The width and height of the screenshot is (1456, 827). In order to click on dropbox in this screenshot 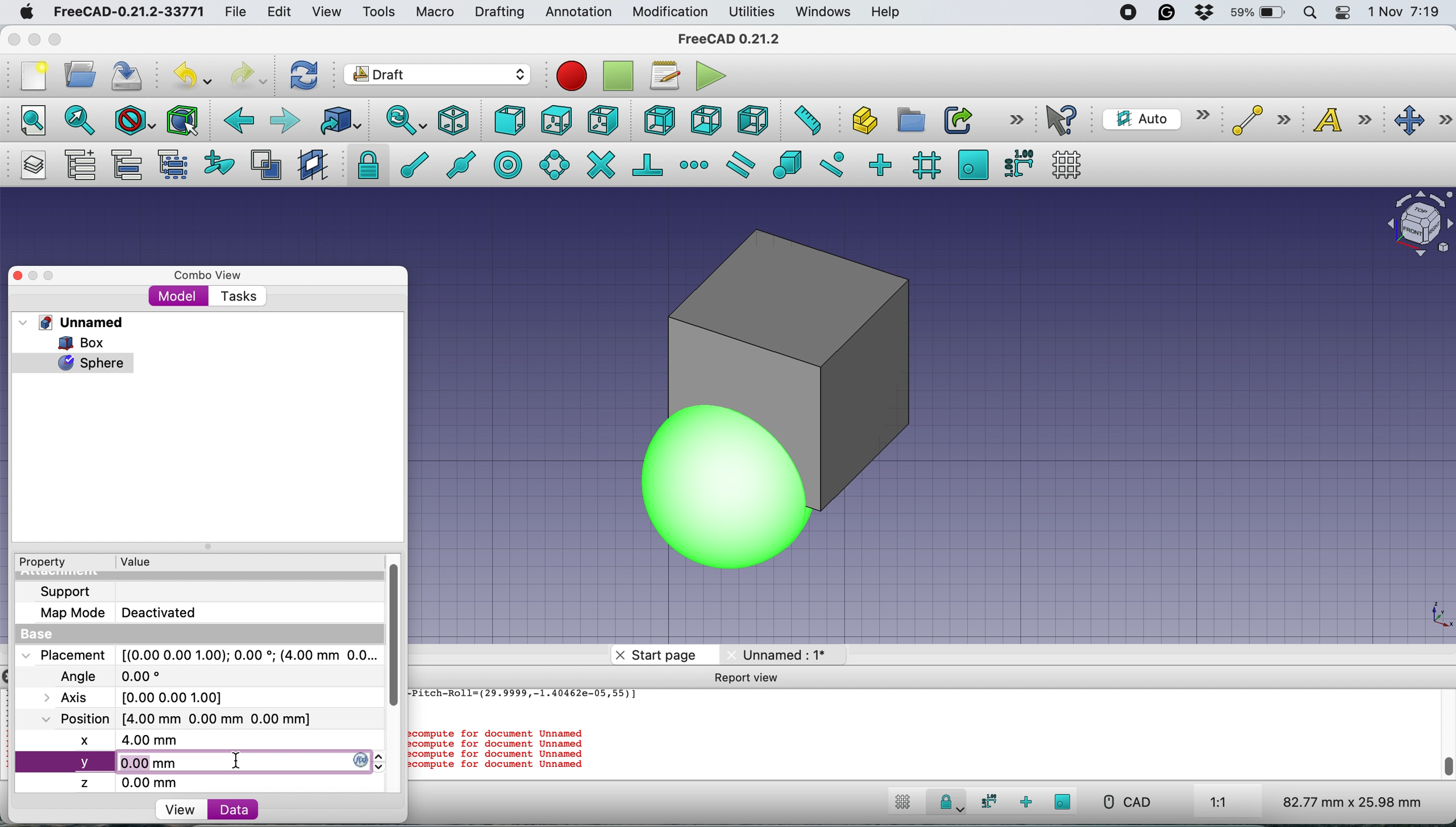, I will do `click(1199, 14)`.